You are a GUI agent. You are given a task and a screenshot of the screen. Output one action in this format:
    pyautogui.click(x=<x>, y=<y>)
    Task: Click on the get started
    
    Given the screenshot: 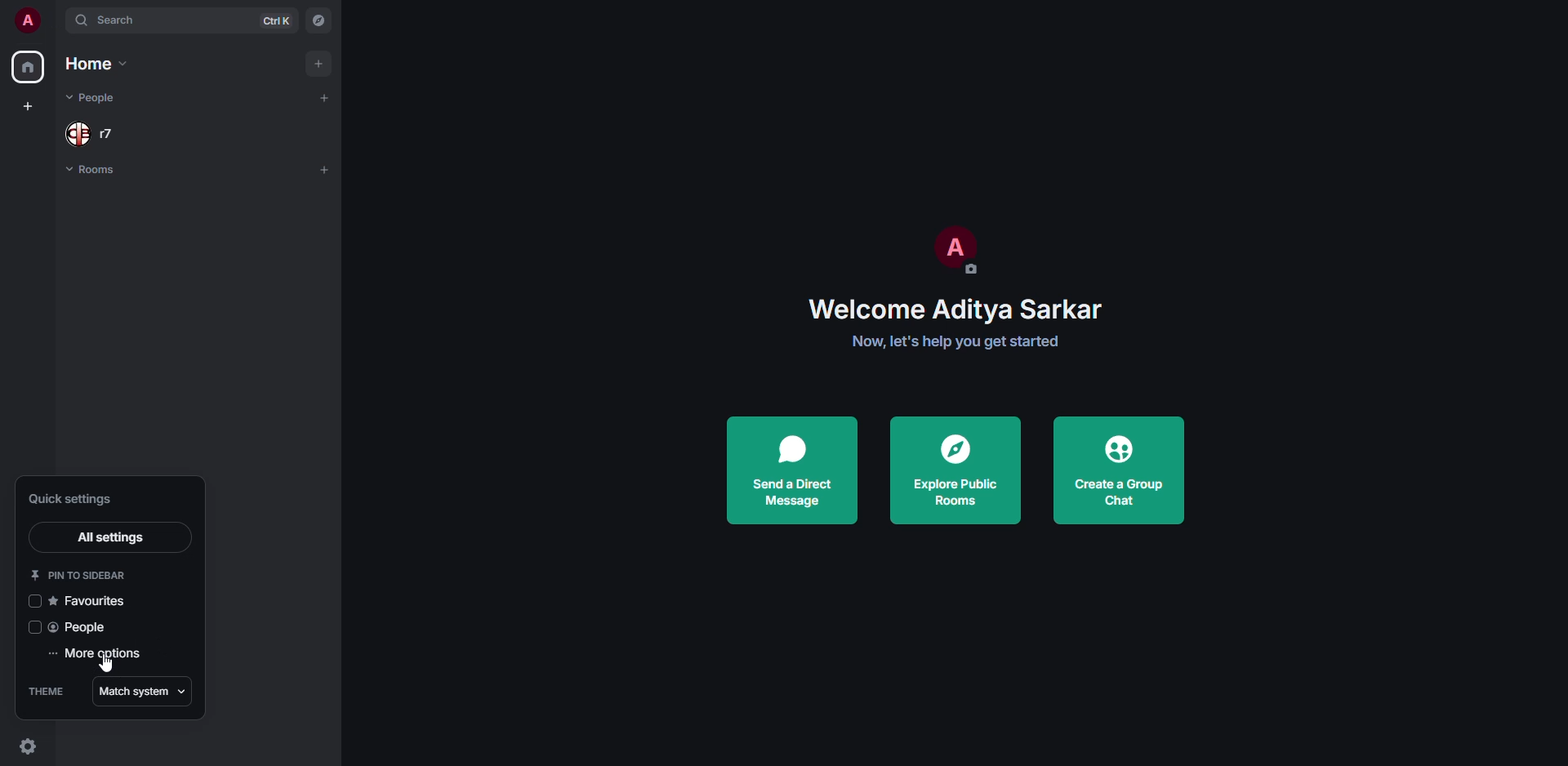 What is the action you would take?
    pyautogui.click(x=956, y=341)
    